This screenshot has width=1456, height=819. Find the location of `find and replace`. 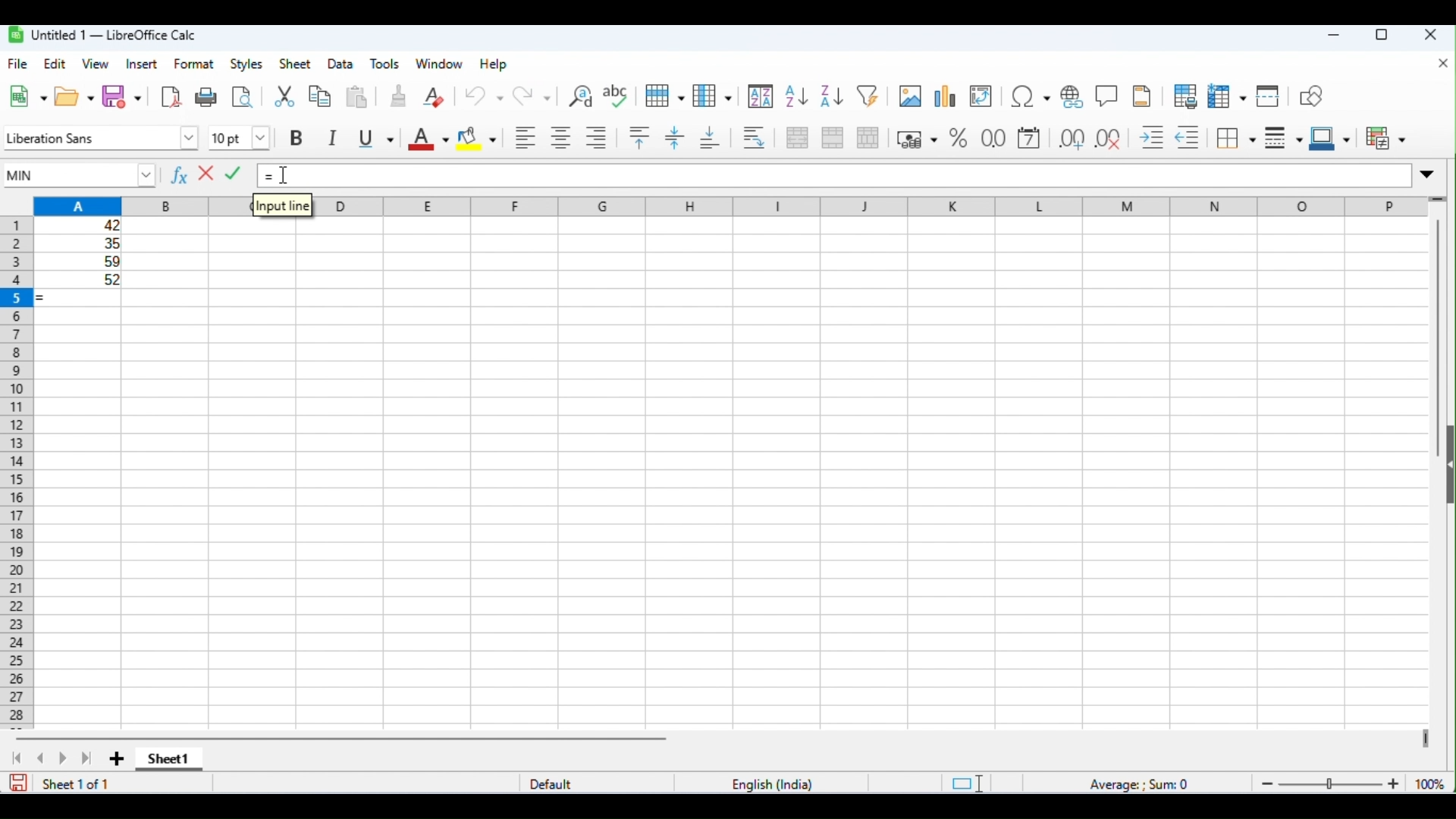

find and replace is located at coordinates (577, 95).